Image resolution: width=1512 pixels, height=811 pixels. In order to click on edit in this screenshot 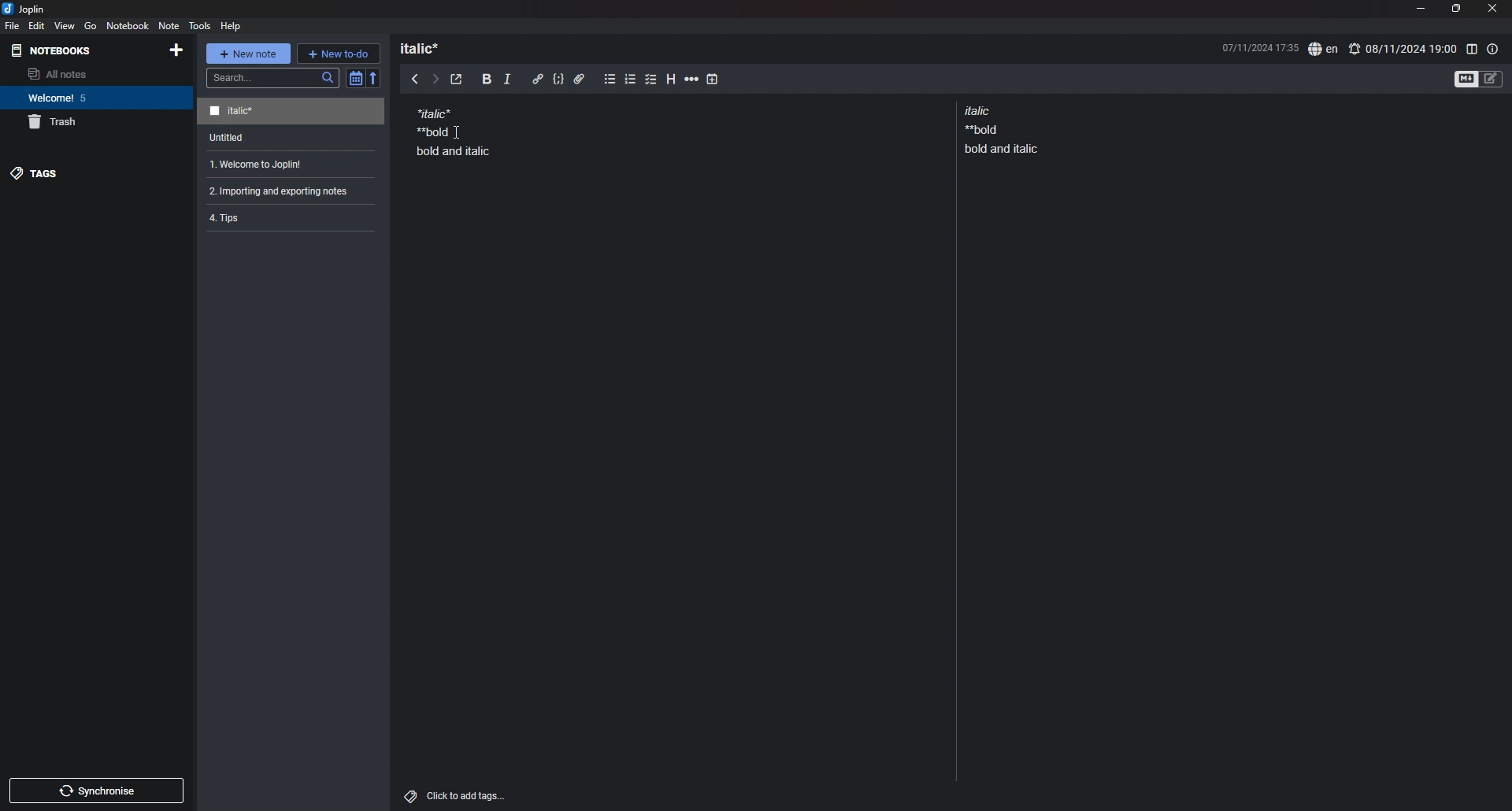, I will do `click(37, 25)`.